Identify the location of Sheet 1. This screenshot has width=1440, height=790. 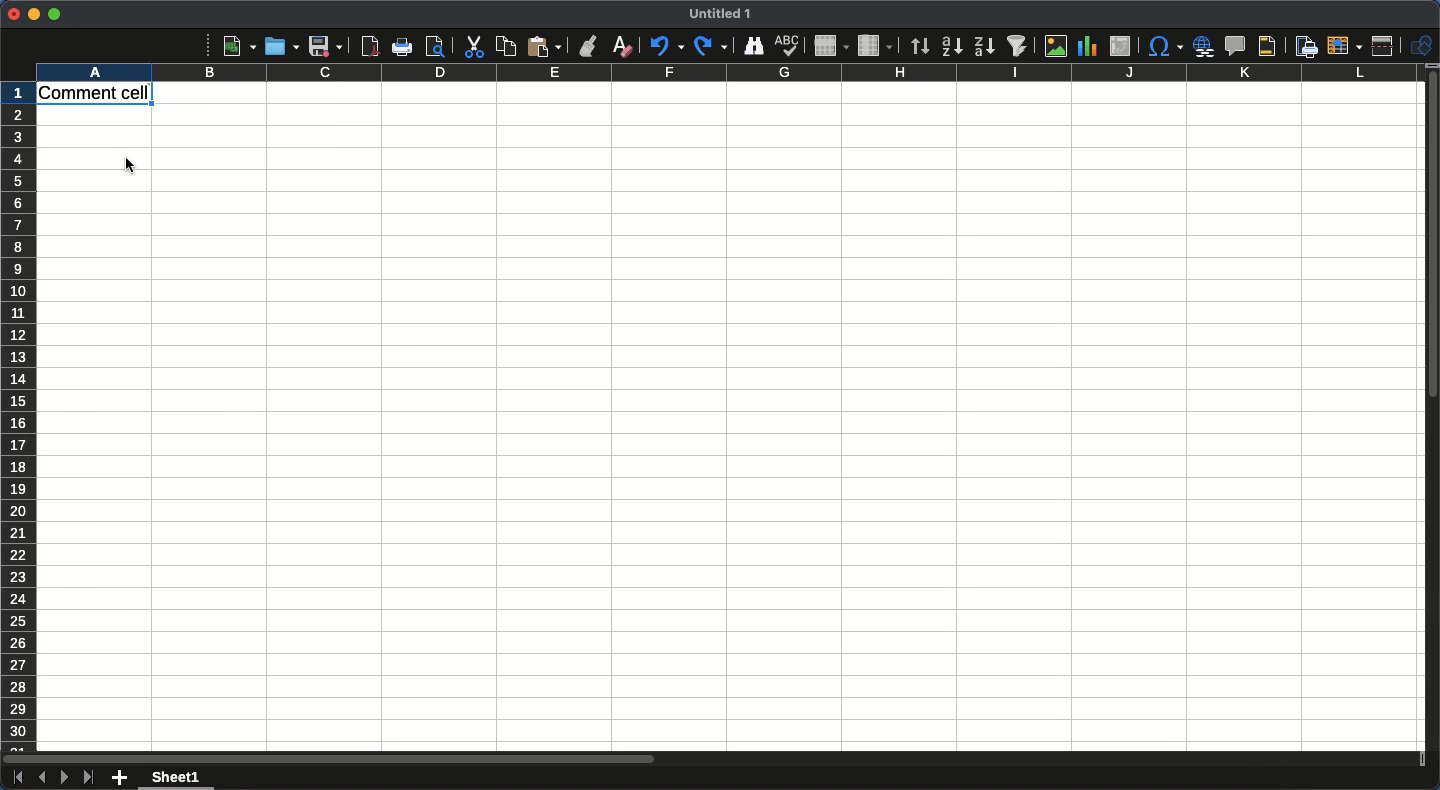
(179, 778).